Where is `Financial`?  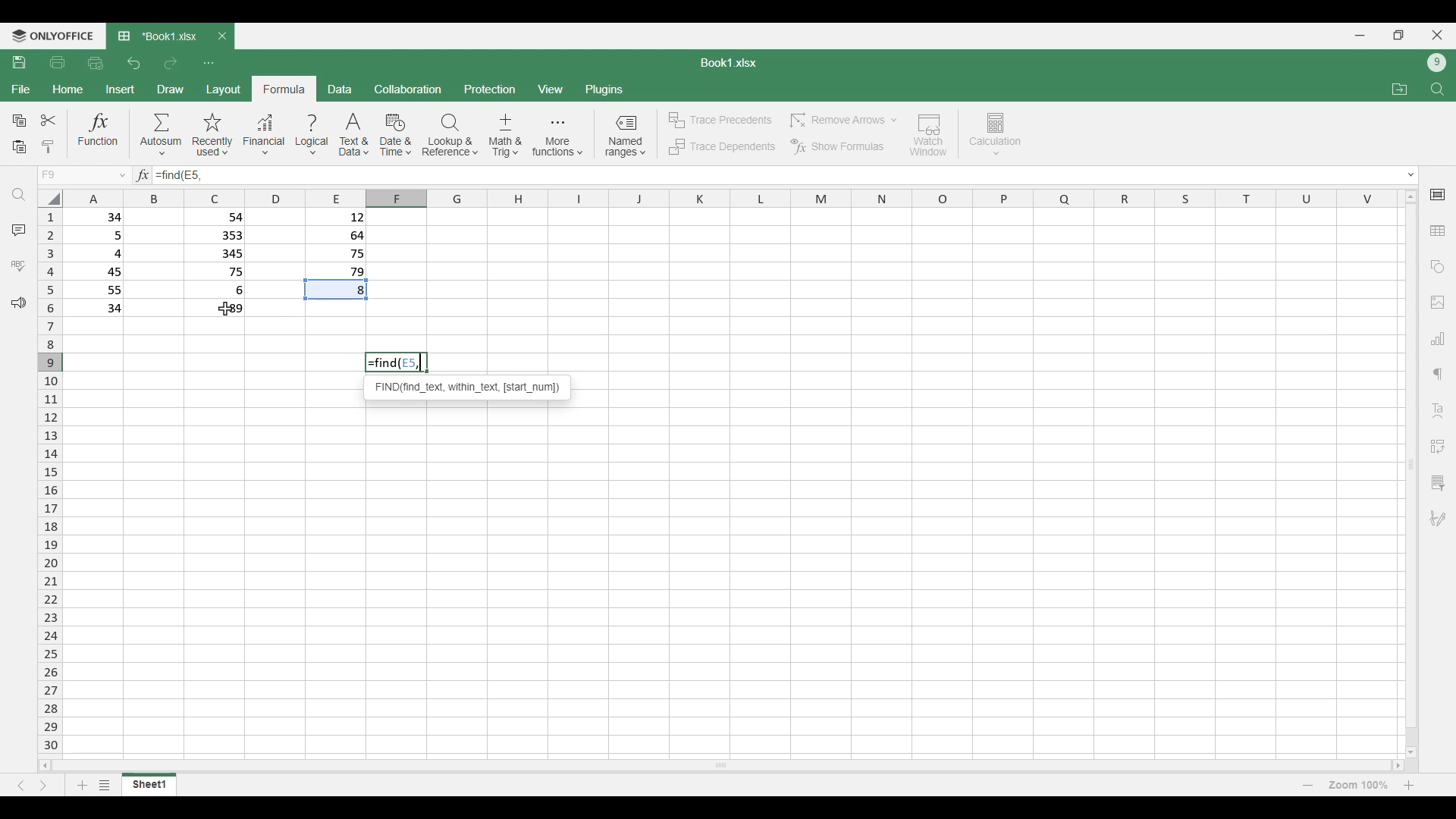
Financial is located at coordinates (264, 136).